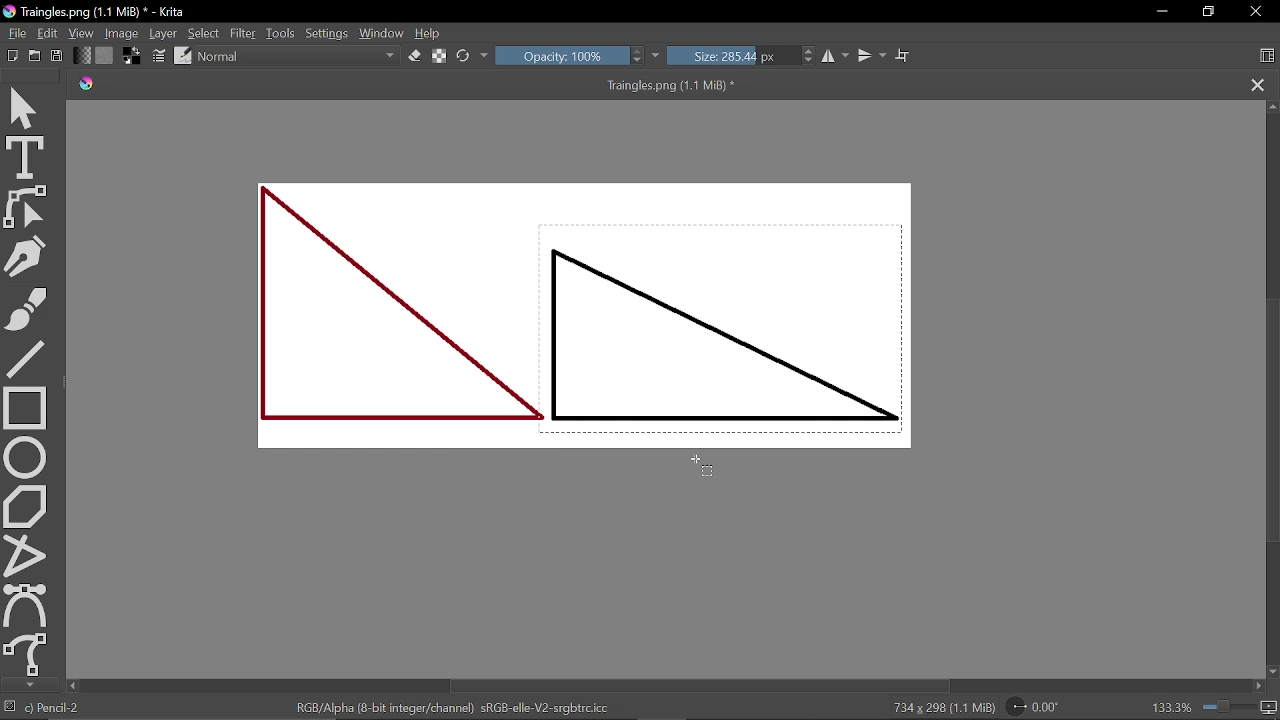 The image size is (1280, 720). Describe the element at coordinates (383, 33) in the screenshot. I see `Window` at that location.